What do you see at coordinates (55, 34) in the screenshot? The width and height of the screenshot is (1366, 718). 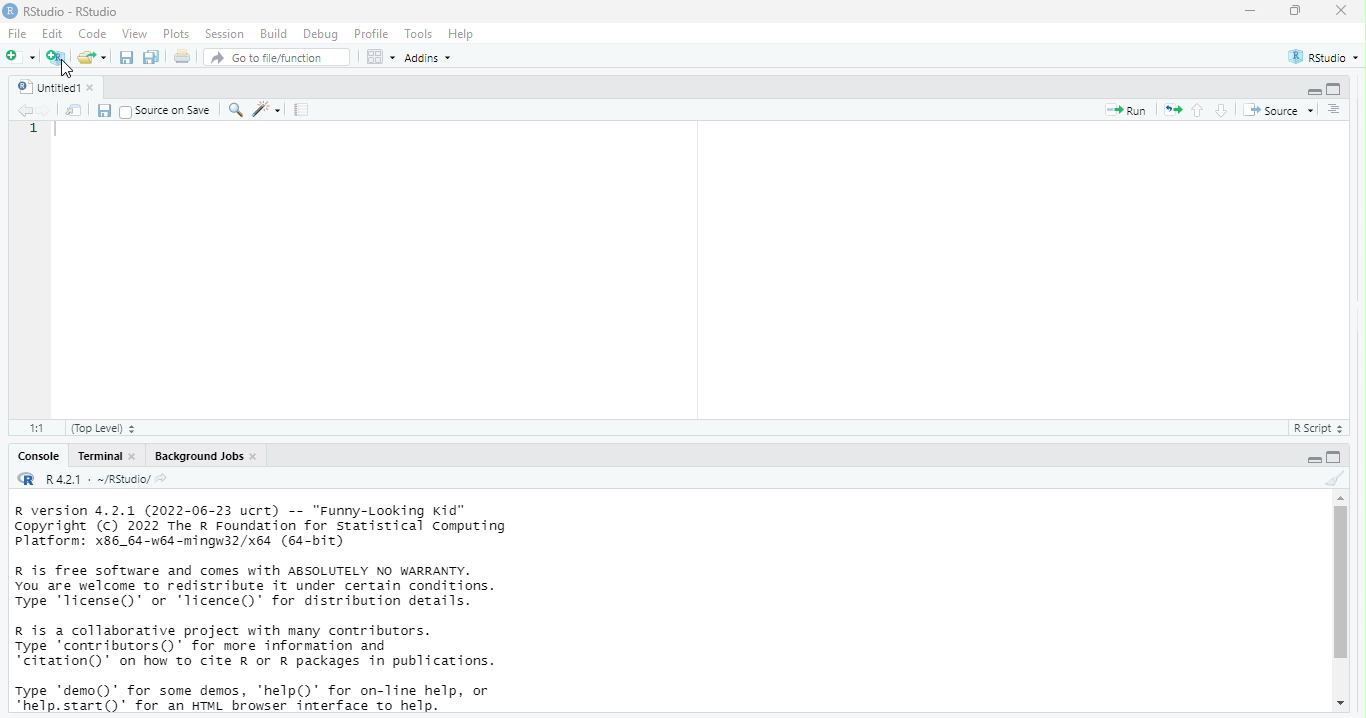 I see `edit` at bounding box center [55, 34].